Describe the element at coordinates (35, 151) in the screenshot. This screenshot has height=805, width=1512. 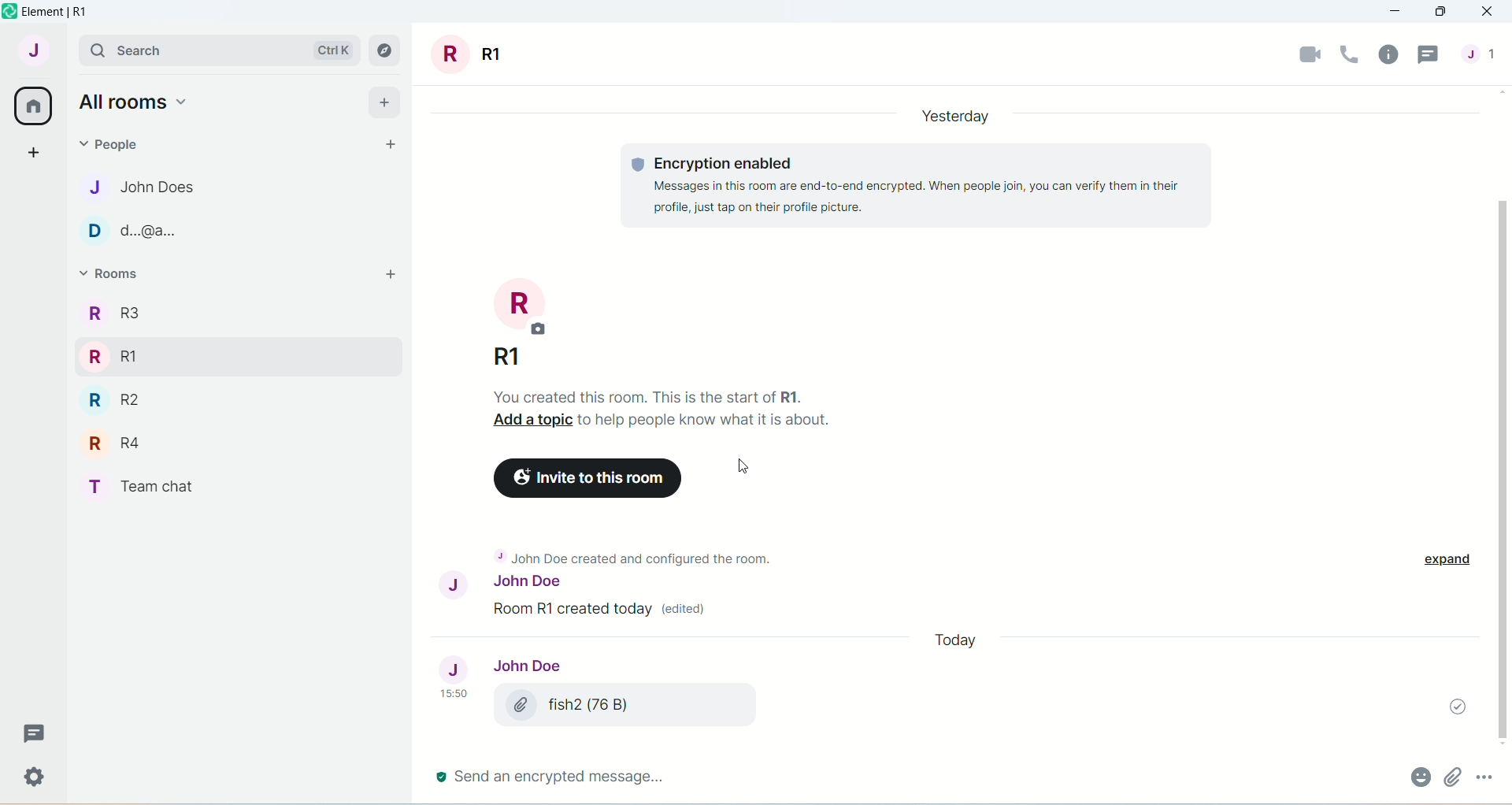
I see `create a space` at that location.